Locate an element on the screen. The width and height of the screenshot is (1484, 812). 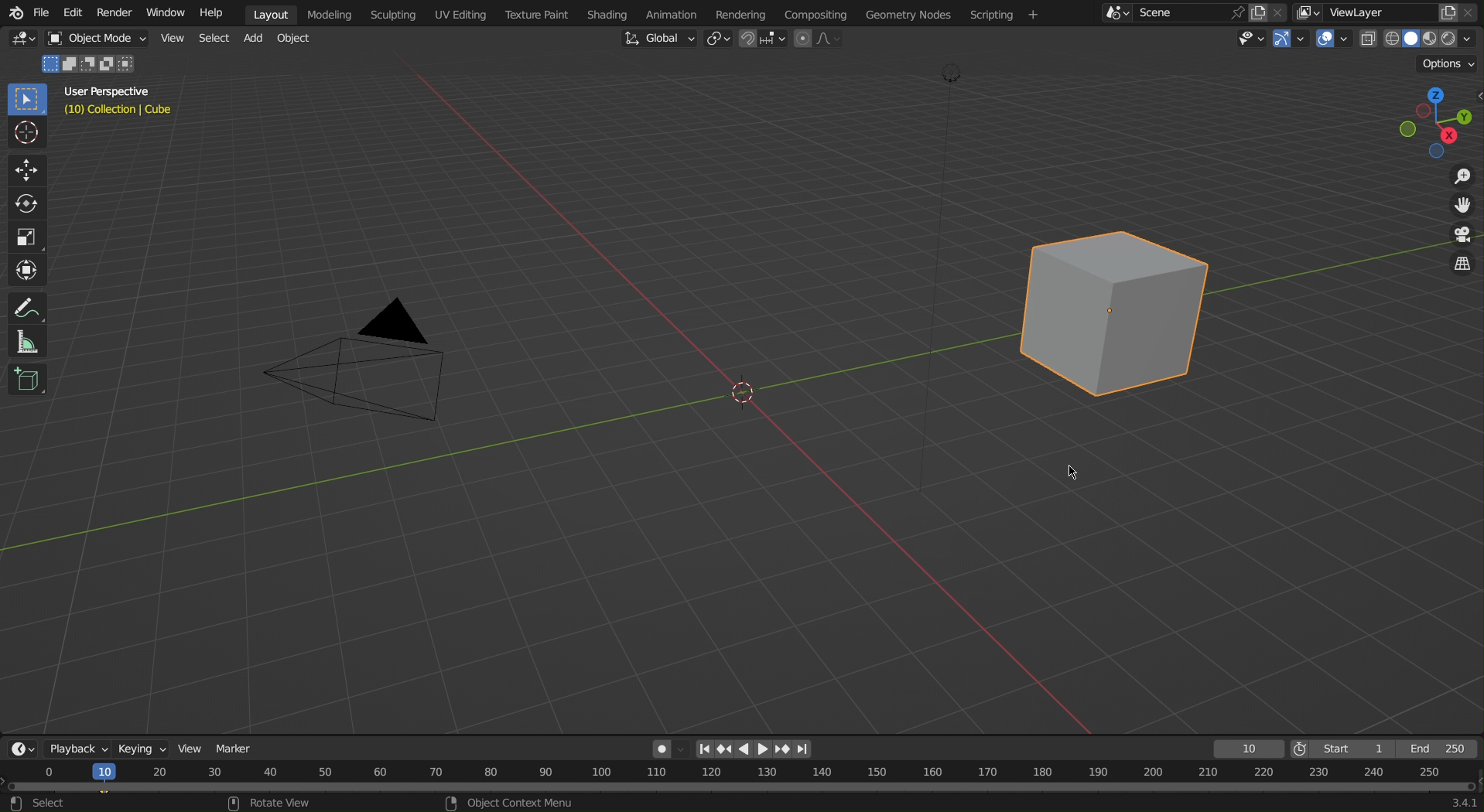
File is located at coordinates (41, 12).